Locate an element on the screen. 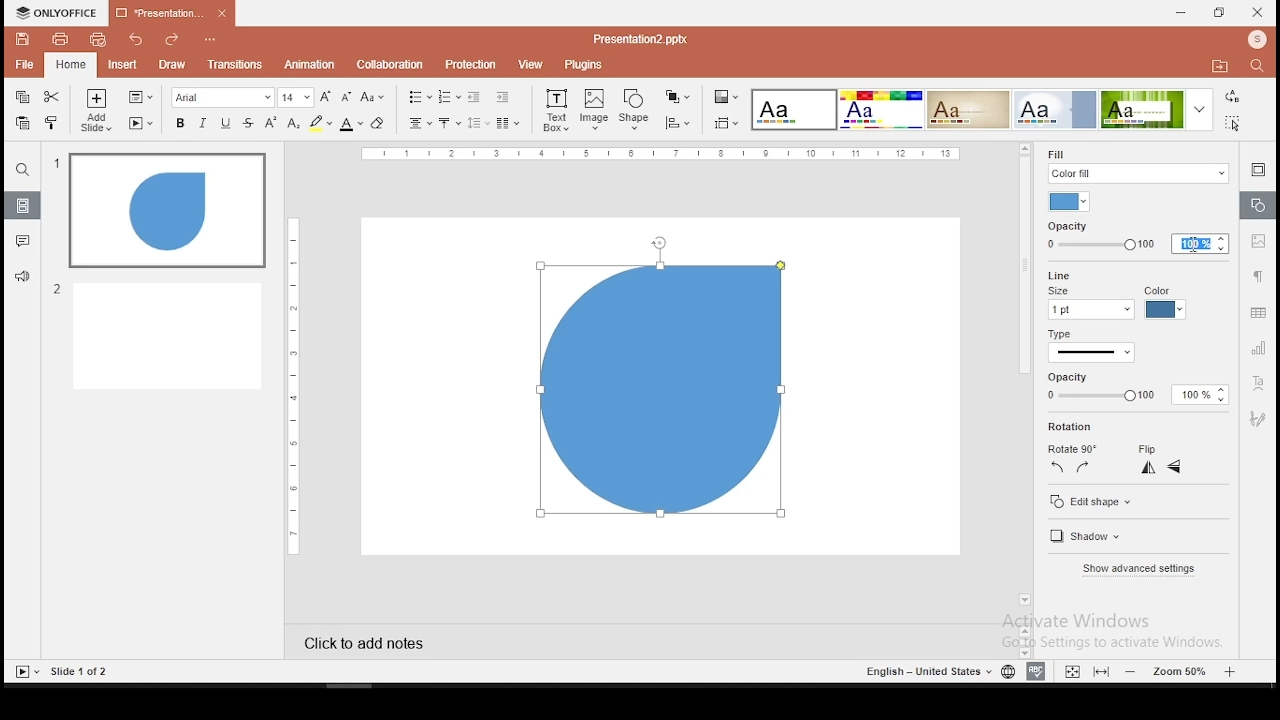  fit to slide is located at coordinates (1101, 672).